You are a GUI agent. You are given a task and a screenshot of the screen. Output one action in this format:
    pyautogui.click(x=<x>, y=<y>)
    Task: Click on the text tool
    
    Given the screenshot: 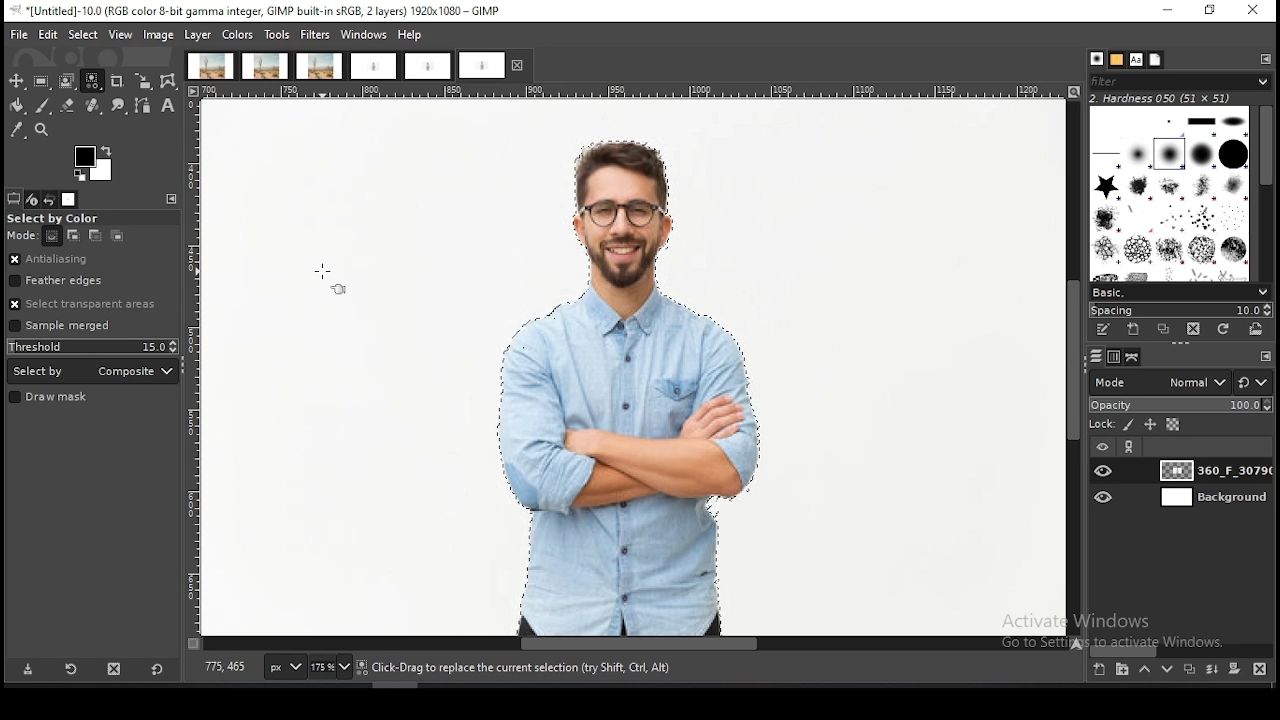 What is the action you would take?
    pyautogui.click(x=168, y=106)
    